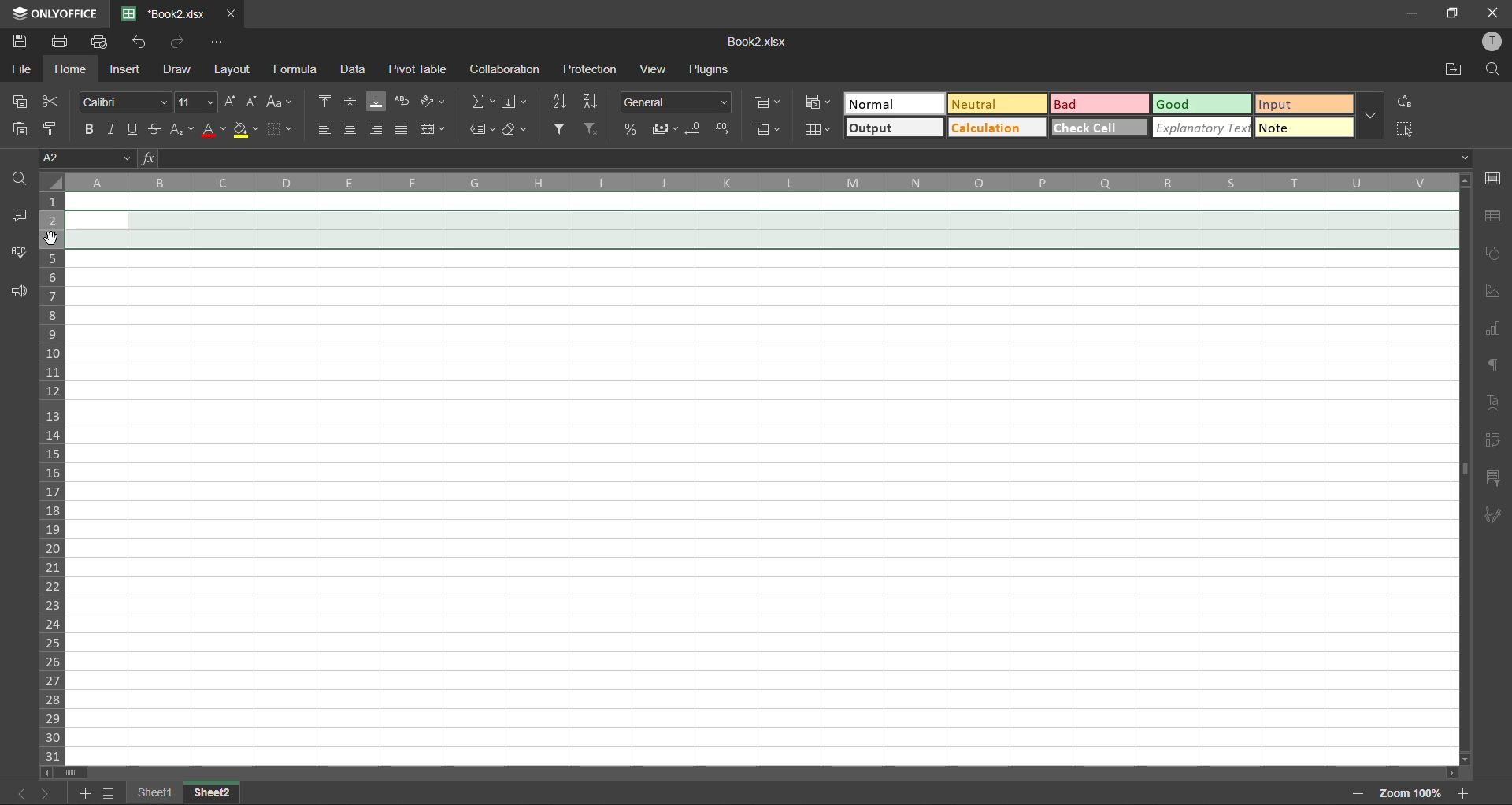  Describe the element at coordinates (55, 239) in the screenshot. I see `cursor` at that location.